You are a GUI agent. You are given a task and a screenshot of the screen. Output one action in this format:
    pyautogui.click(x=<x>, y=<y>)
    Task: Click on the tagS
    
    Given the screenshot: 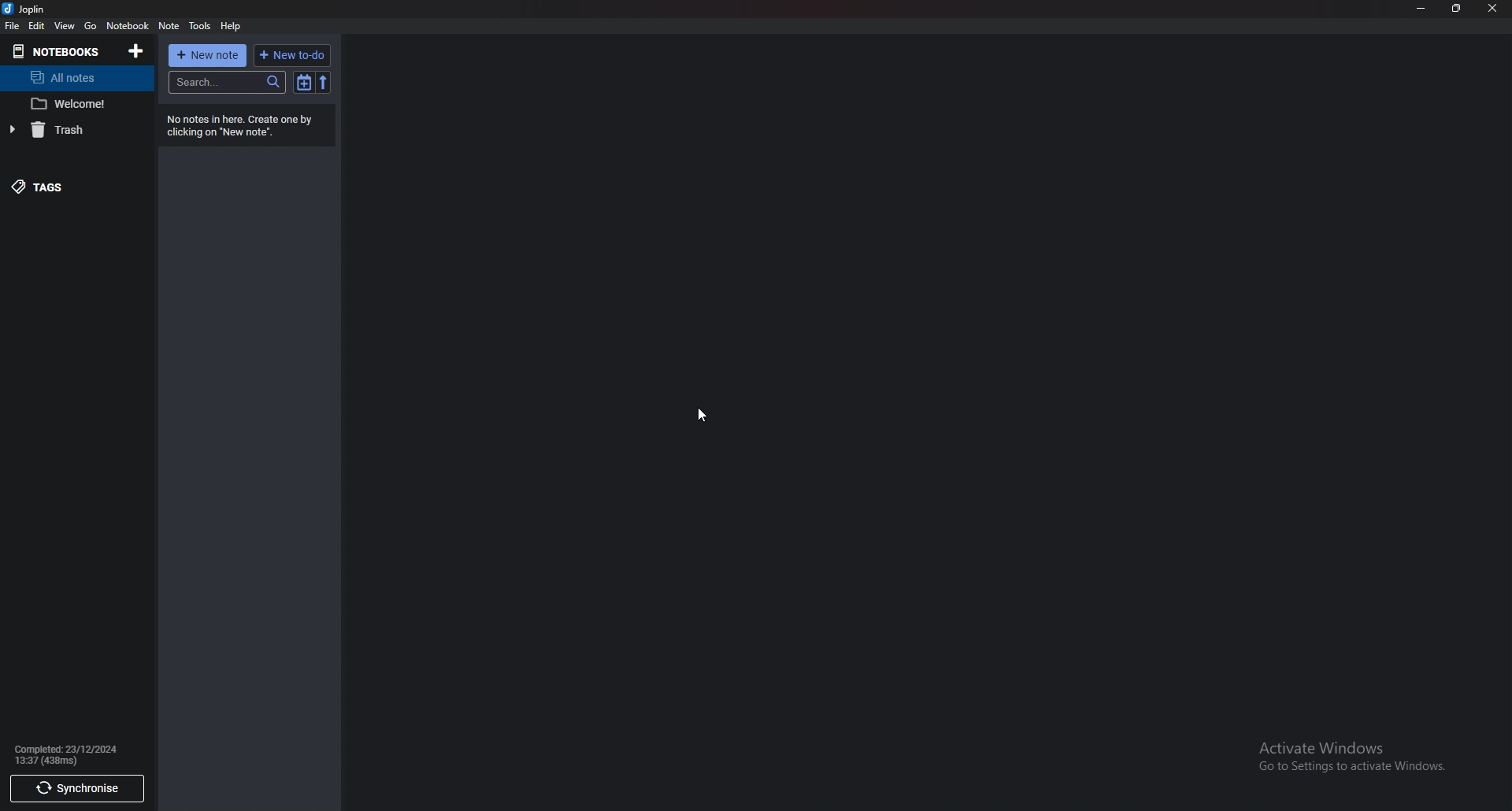 What is the action you would take?
    pyautogui.click(x=61, y=188)
    